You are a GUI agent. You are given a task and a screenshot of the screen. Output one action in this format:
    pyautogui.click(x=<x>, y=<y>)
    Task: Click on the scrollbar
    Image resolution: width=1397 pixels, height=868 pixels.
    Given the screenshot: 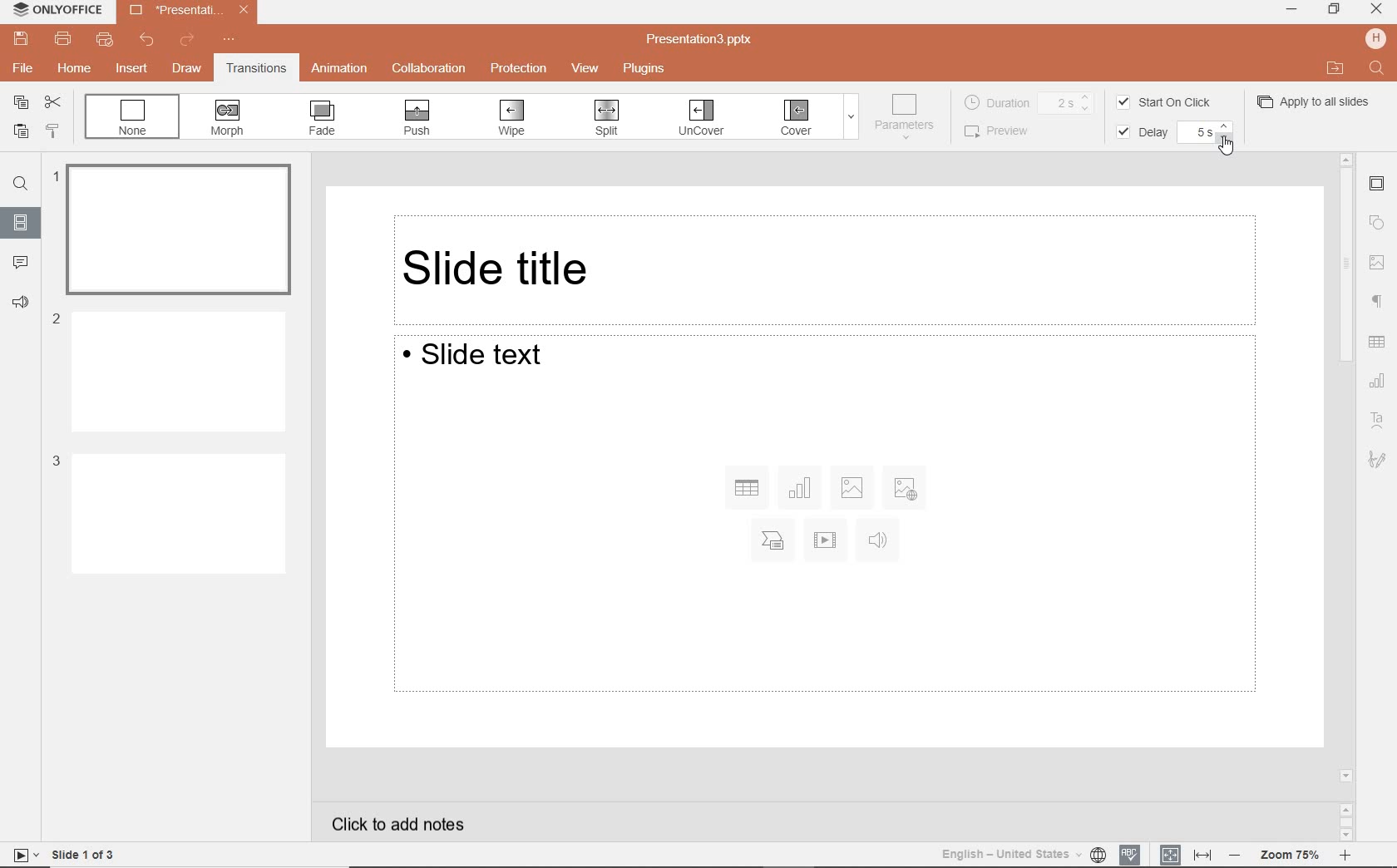 What is the action you would take?
    pyautogui.click(x=1345, y=496)
    